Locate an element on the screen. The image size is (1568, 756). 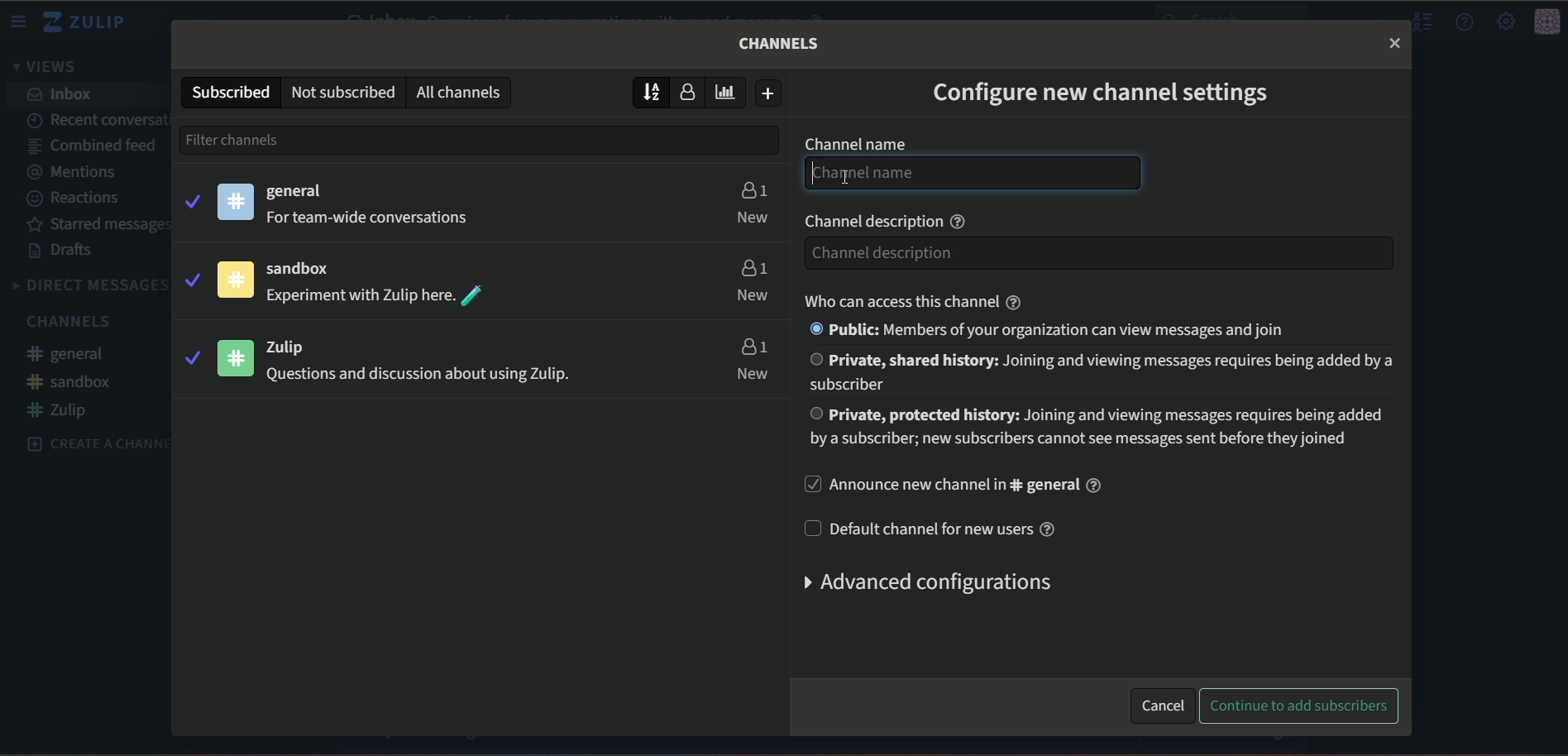
tick is located at coordinates (191, 199).